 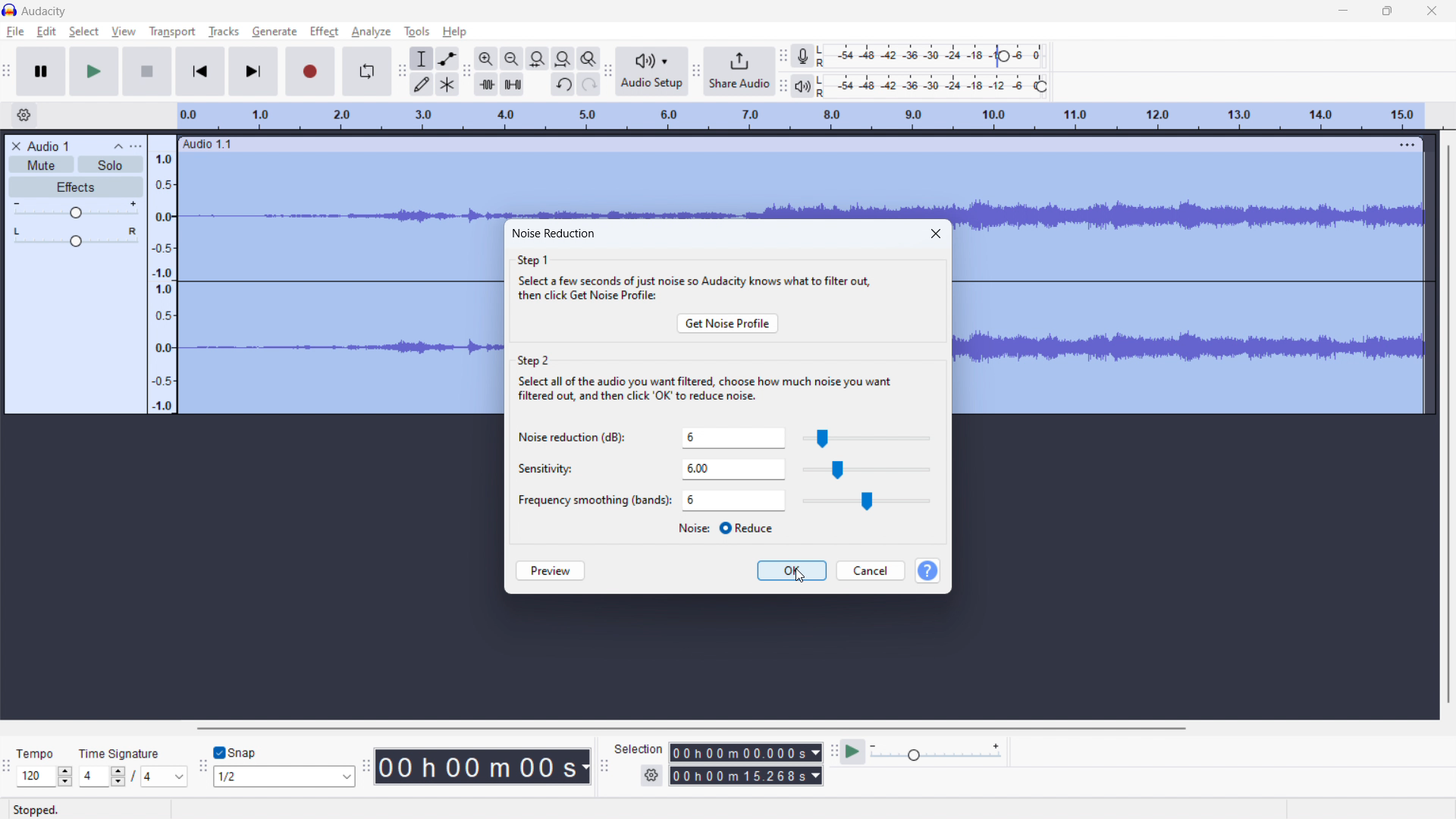 What do you see at coordinates (695, 70) in the screenshot?
I see `share audio toolbar` at bounding box center [695, 70].